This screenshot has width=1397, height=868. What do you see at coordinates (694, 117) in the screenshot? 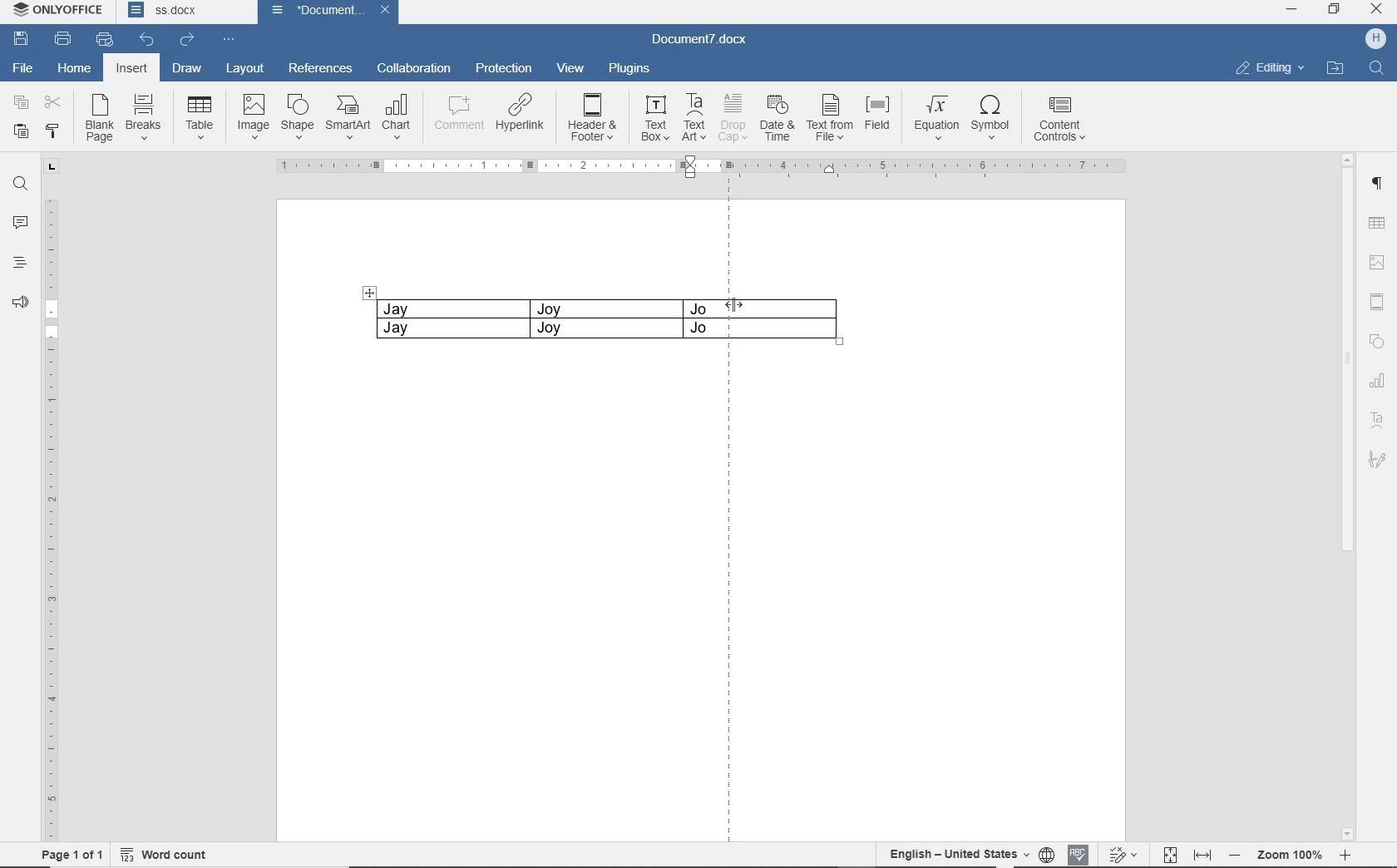
I see `TEXT ART` at bounding box center [694, 117].